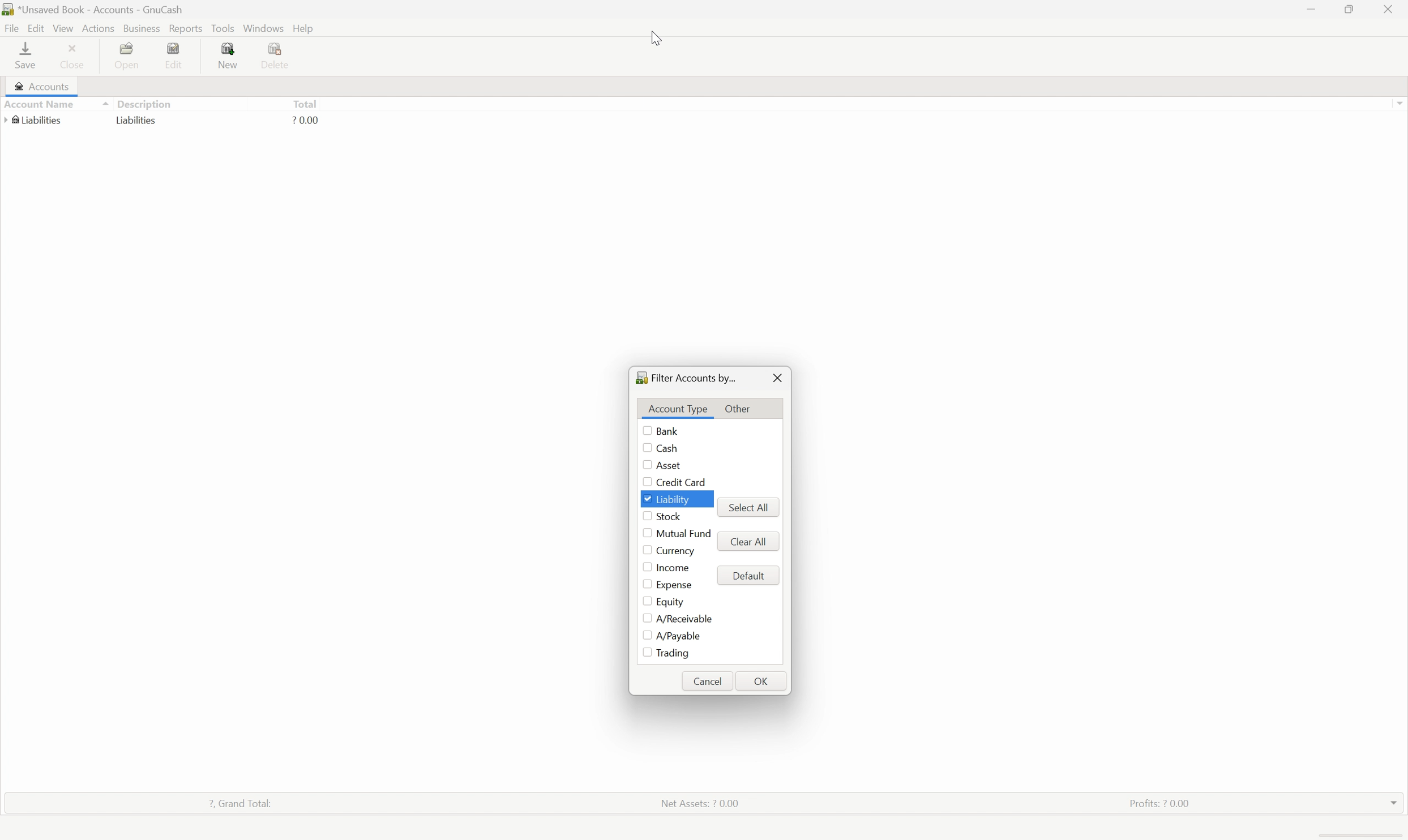  I want to click on Checkbox, so click(643, 483).